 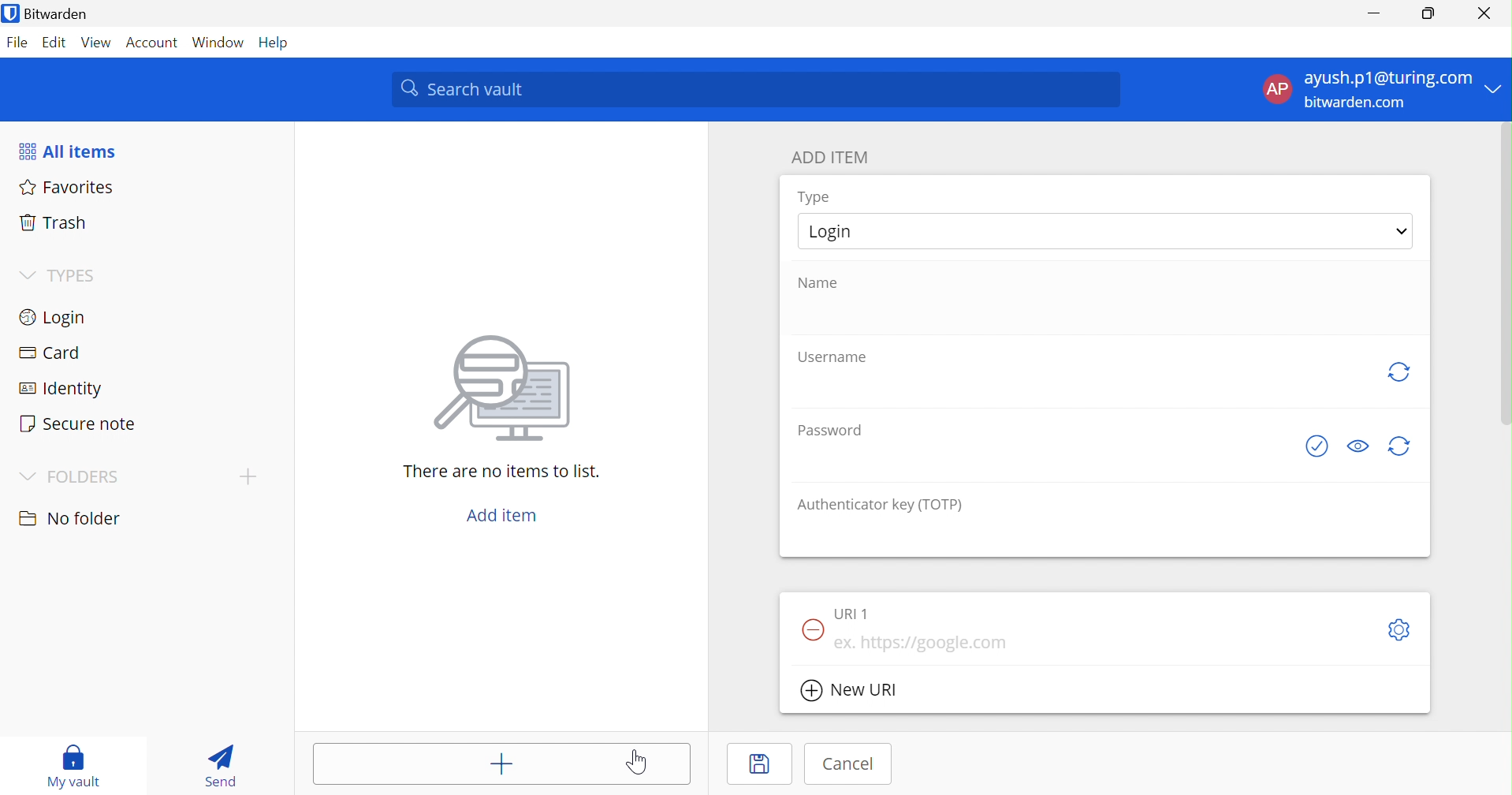 I want to click on AP, so click(x=1276, y=88).